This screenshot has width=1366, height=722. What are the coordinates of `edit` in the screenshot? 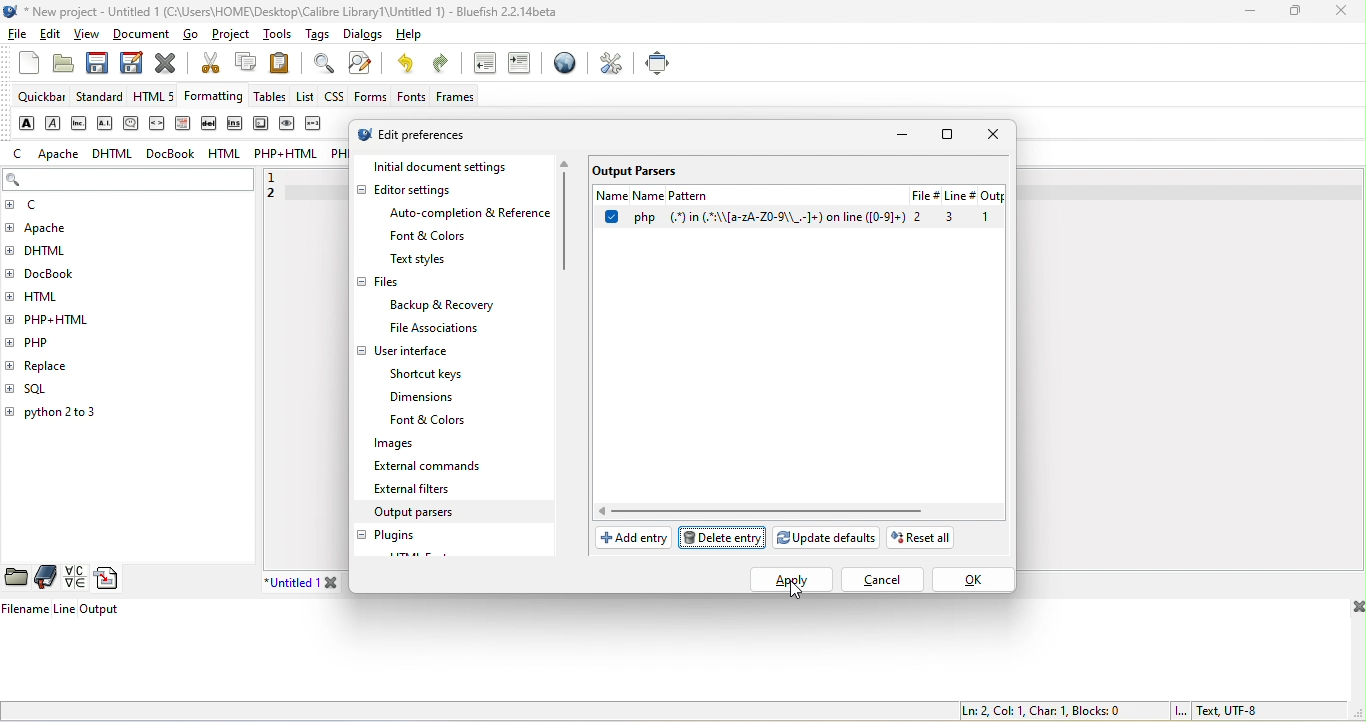 It's located at (49, 34).